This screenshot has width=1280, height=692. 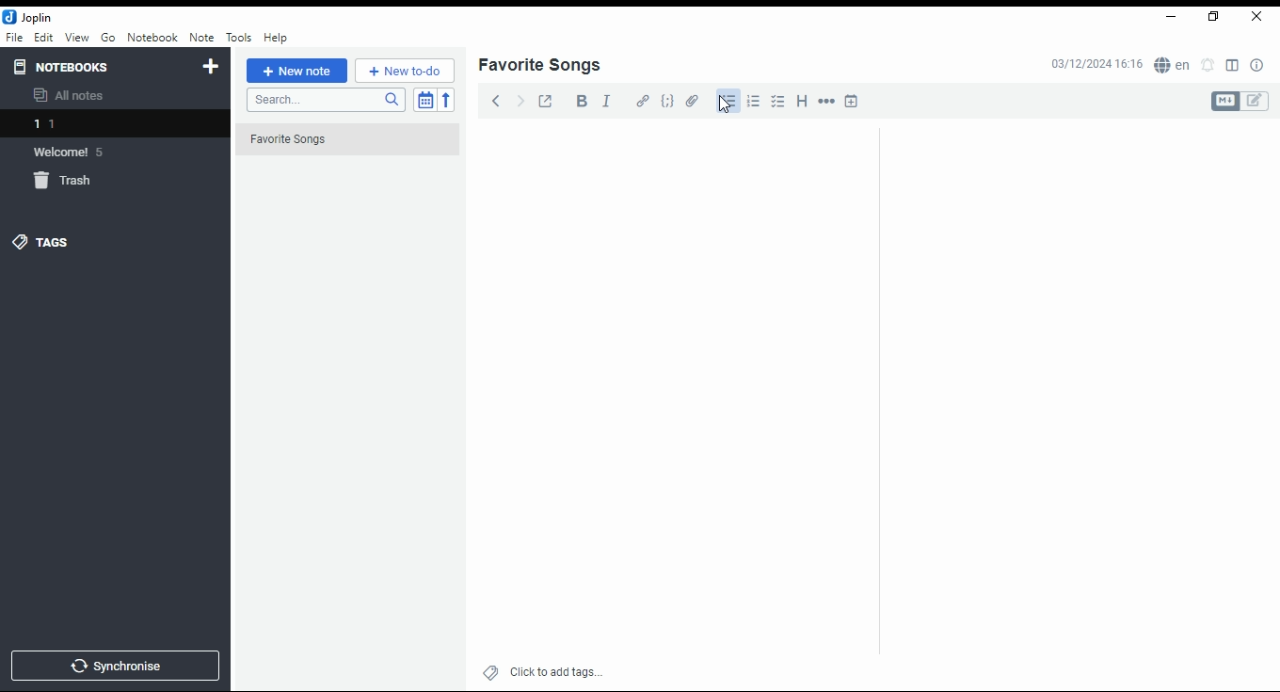 What do you see at coordinates (74, 184) in the screenshot?
I see `trash` at bounding box center [74, 184].